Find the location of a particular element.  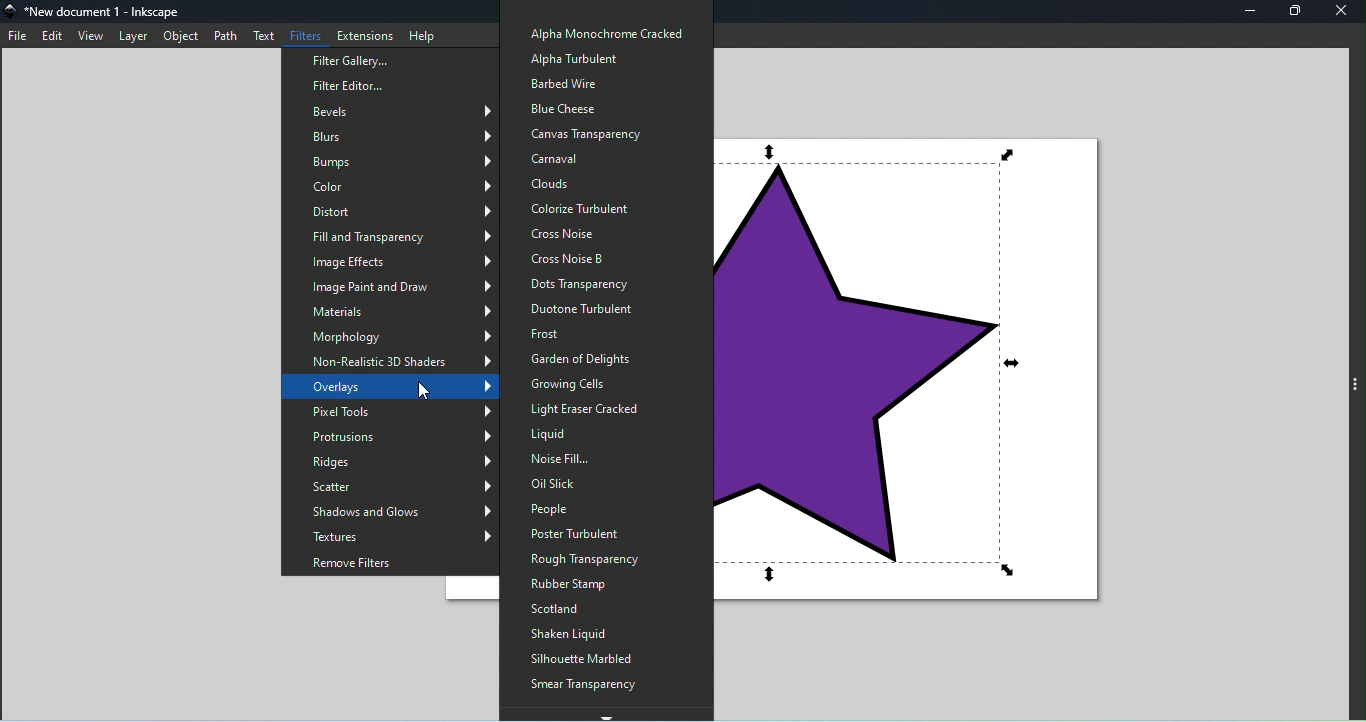

Poster turbulent is located at coordinates (594, 533).